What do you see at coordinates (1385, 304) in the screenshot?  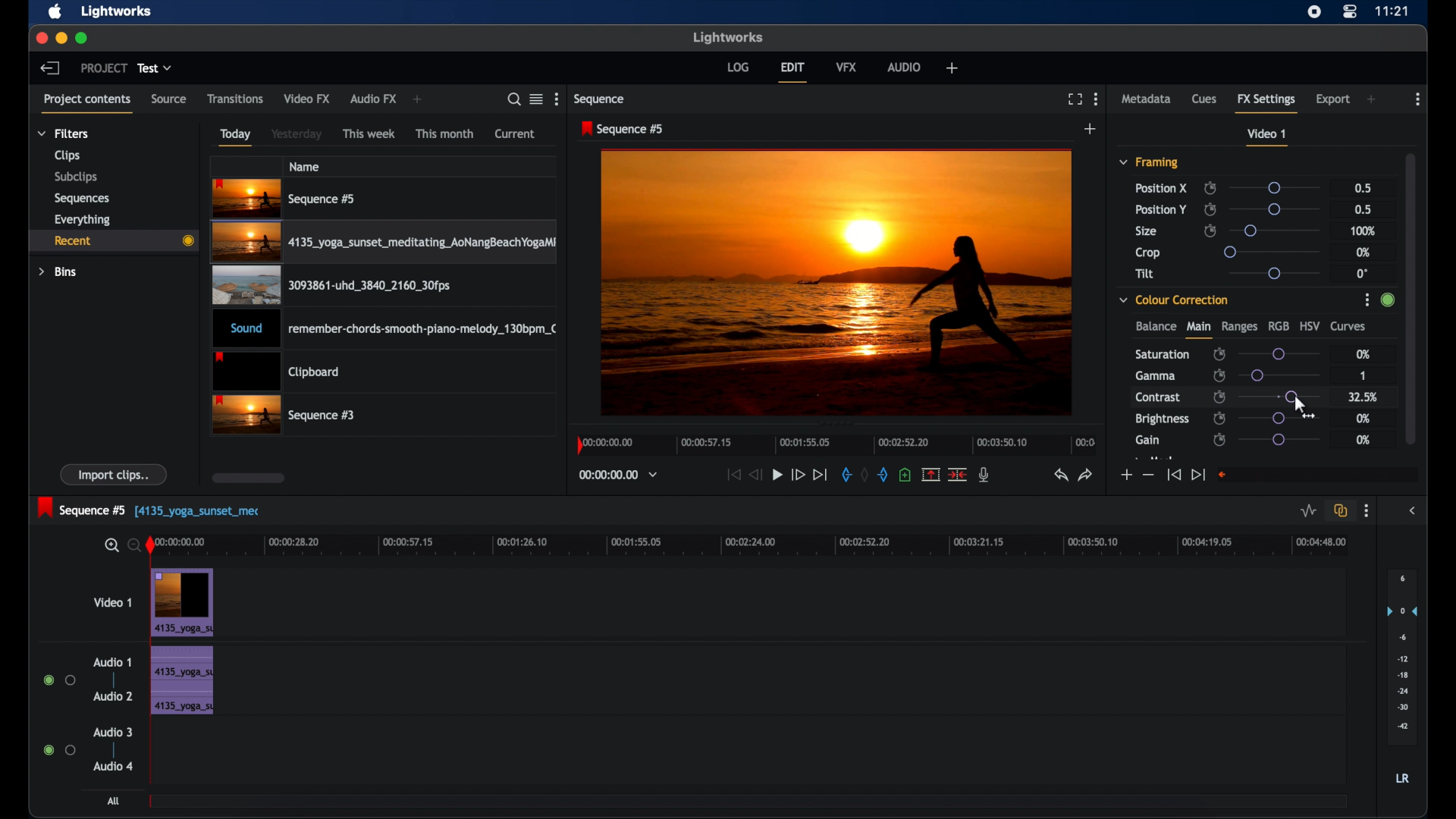 I see `slider change` at bounding box center [1385, 304].